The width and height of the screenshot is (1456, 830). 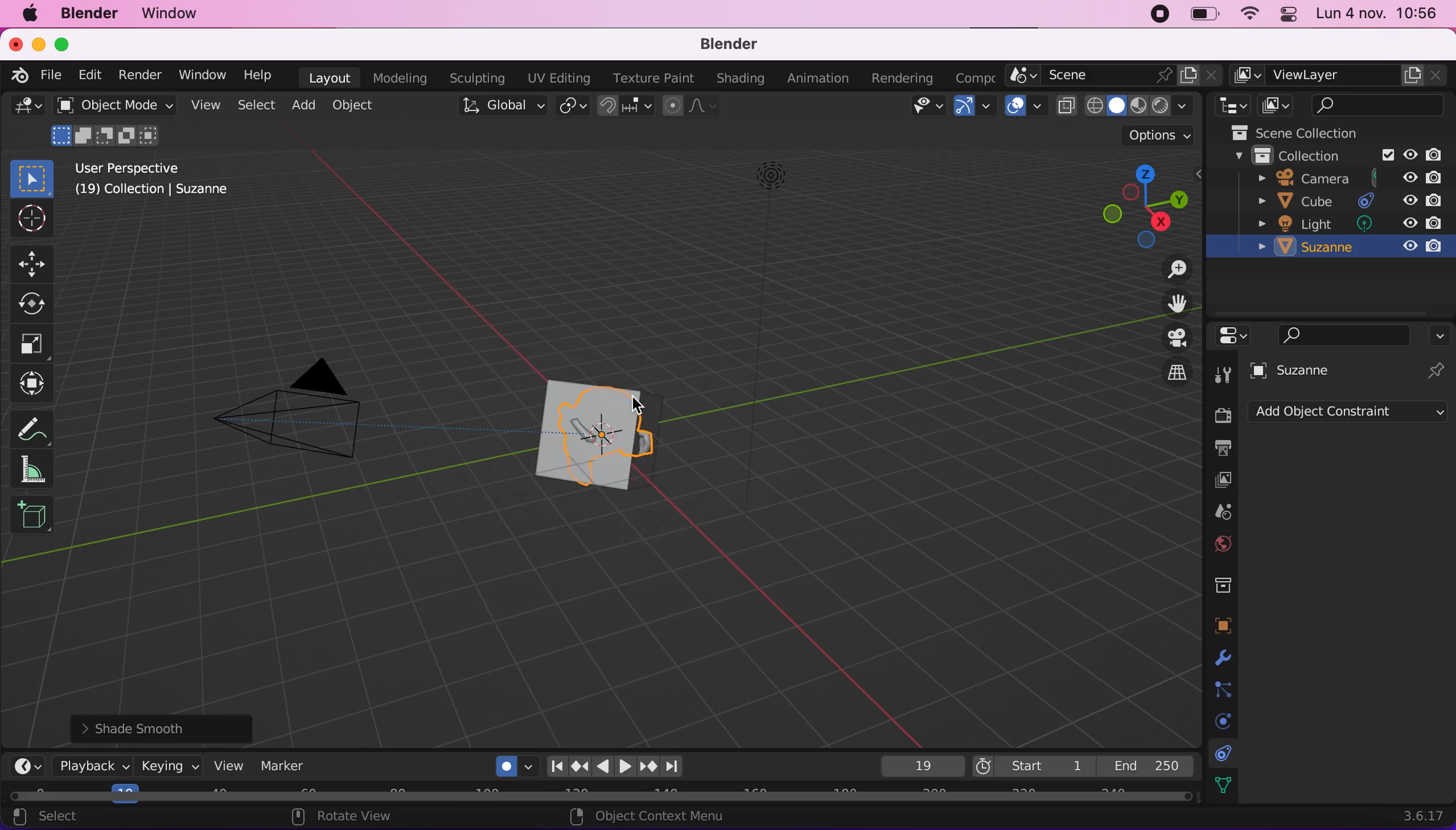 I want to click on Browse scence, so click(x=1021, y=75).